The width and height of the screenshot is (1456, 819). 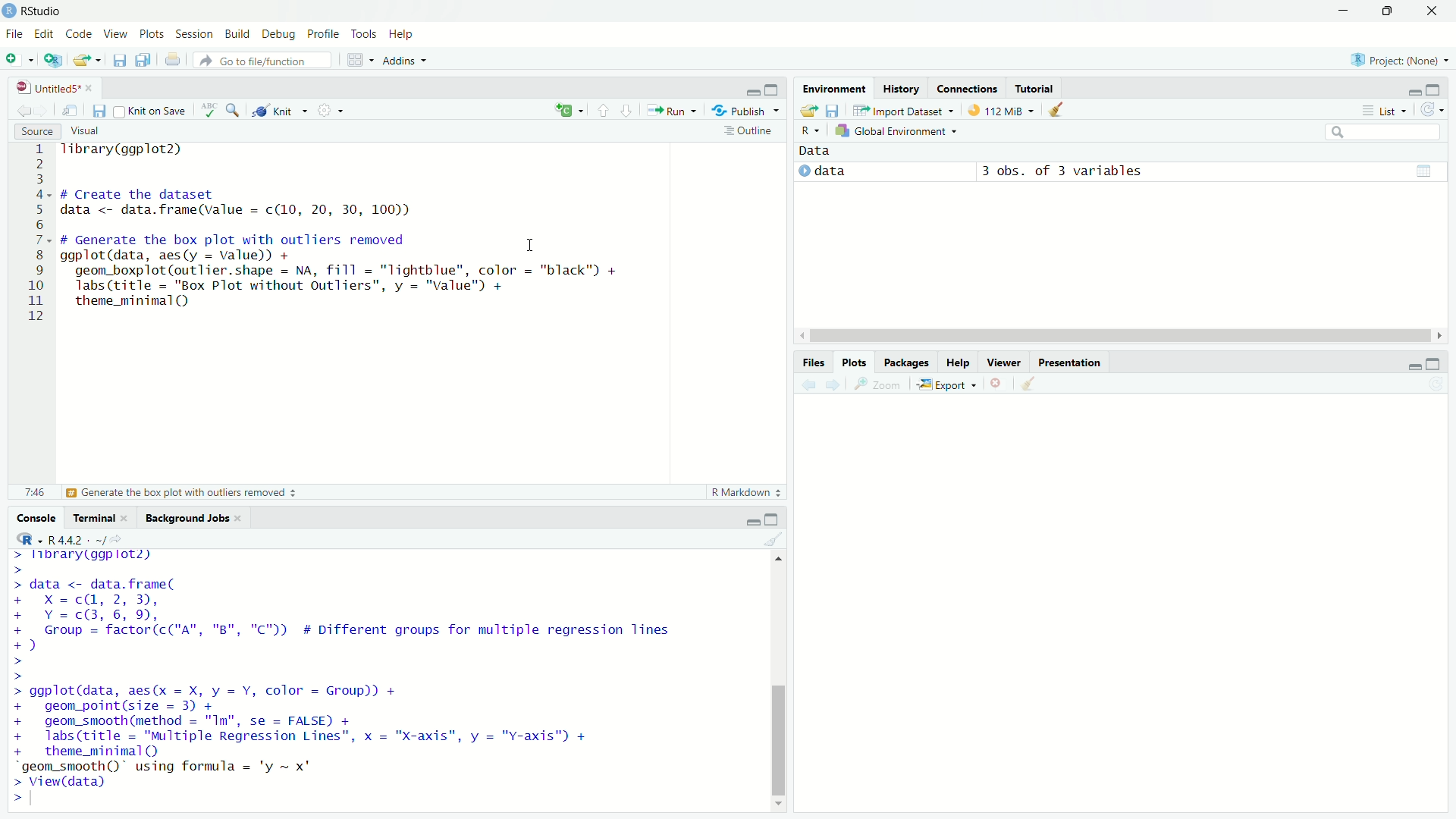 I want to click on upward, so click(x=602, y=109).